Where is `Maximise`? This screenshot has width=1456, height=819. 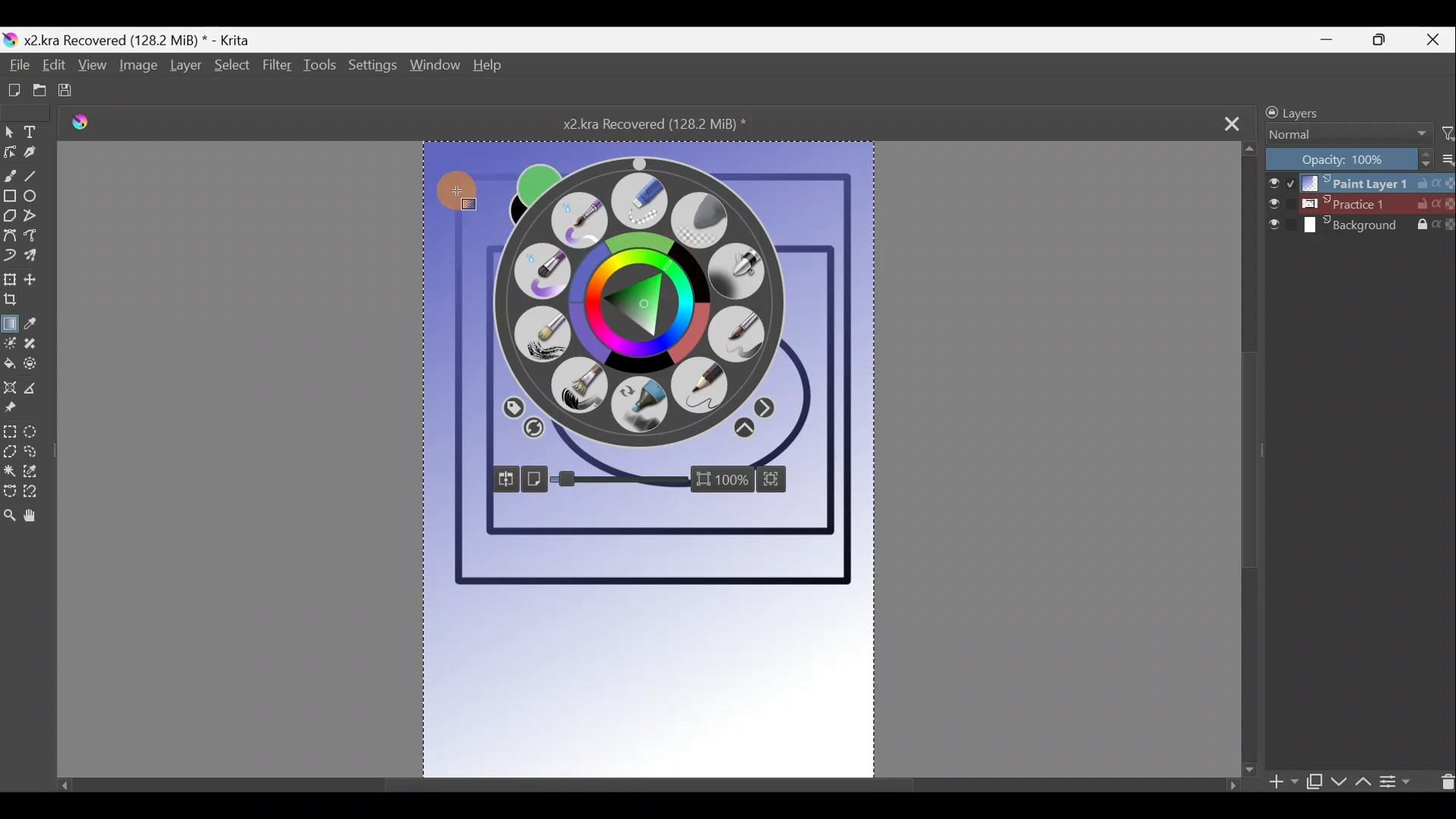 Maximise is located at coordinates (1386, 40).